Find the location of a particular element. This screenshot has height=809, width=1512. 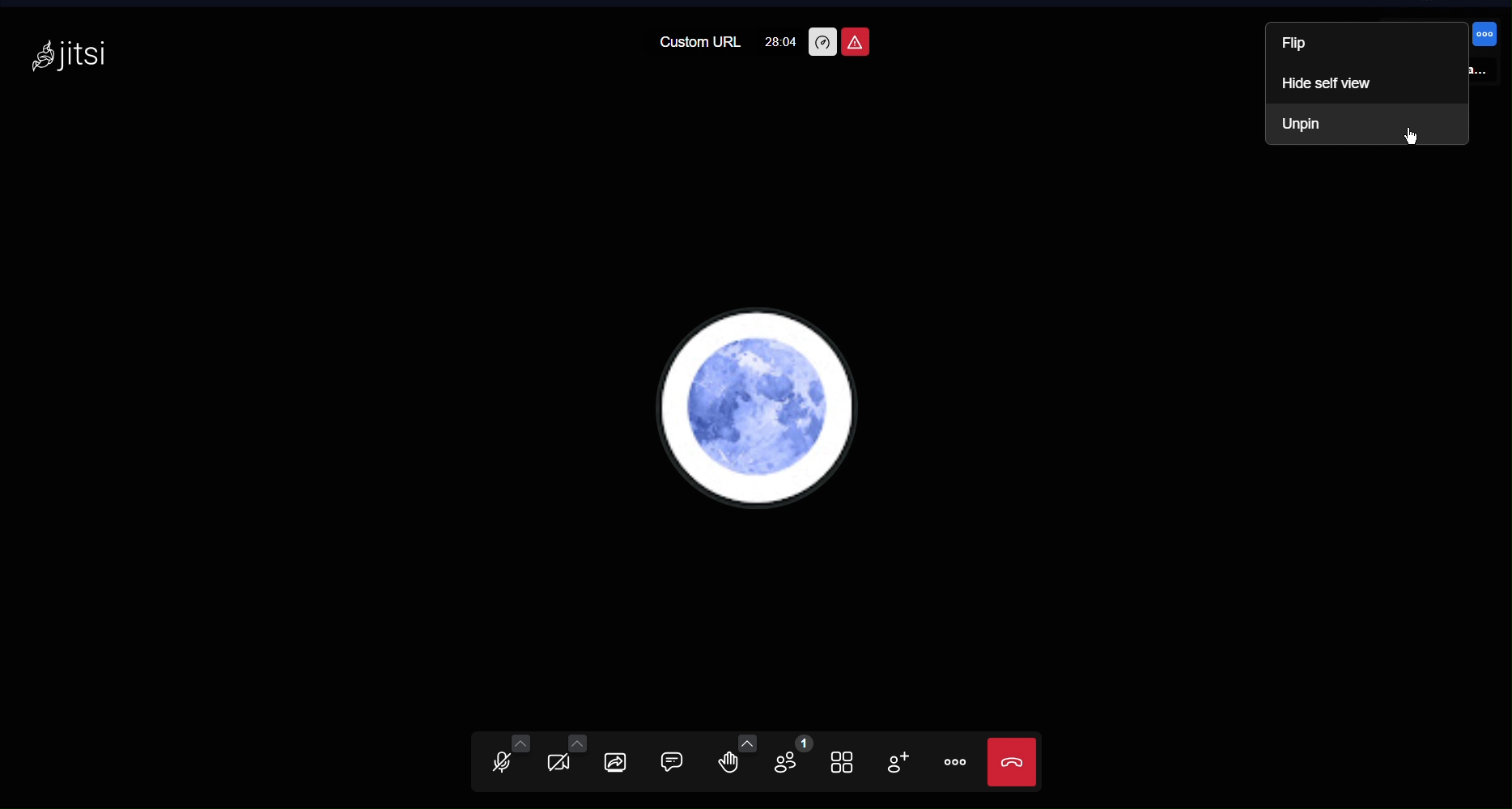

Account PFP is located at coordinates (754, 405).